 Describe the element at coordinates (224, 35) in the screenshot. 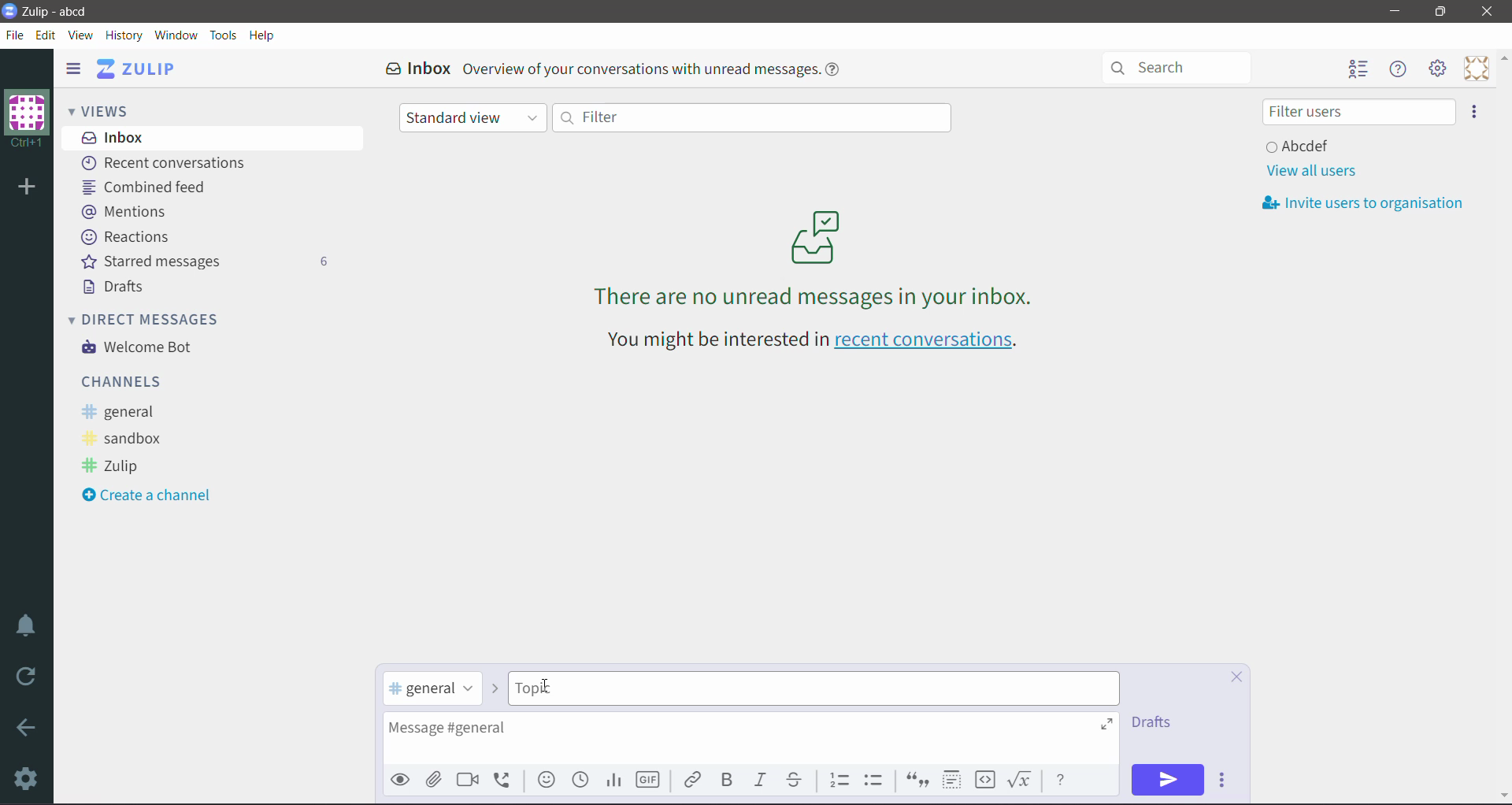

I see `Tools` at that location.